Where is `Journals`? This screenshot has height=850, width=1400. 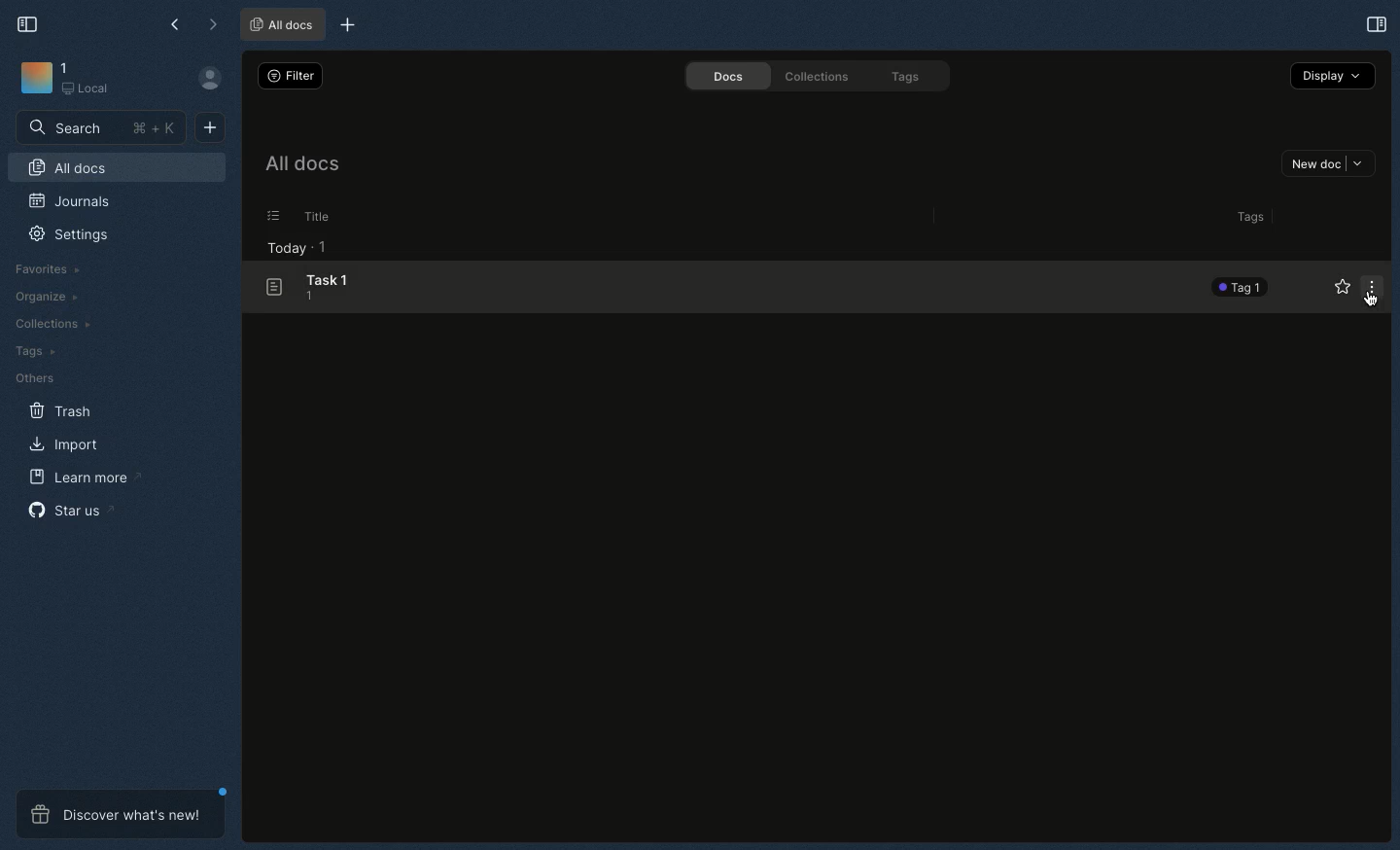
Journals is located at coordinates (68, 199).